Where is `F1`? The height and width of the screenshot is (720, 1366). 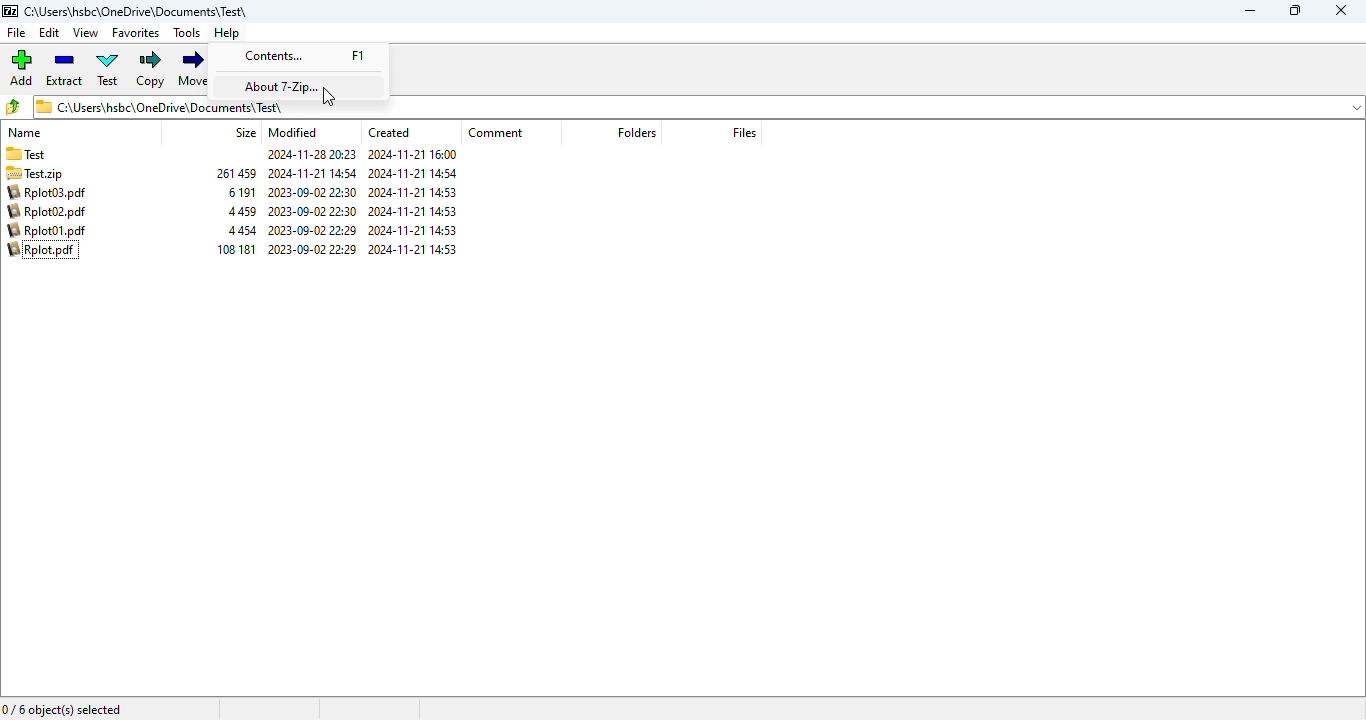 F1 is located at coordinates (368, 55).